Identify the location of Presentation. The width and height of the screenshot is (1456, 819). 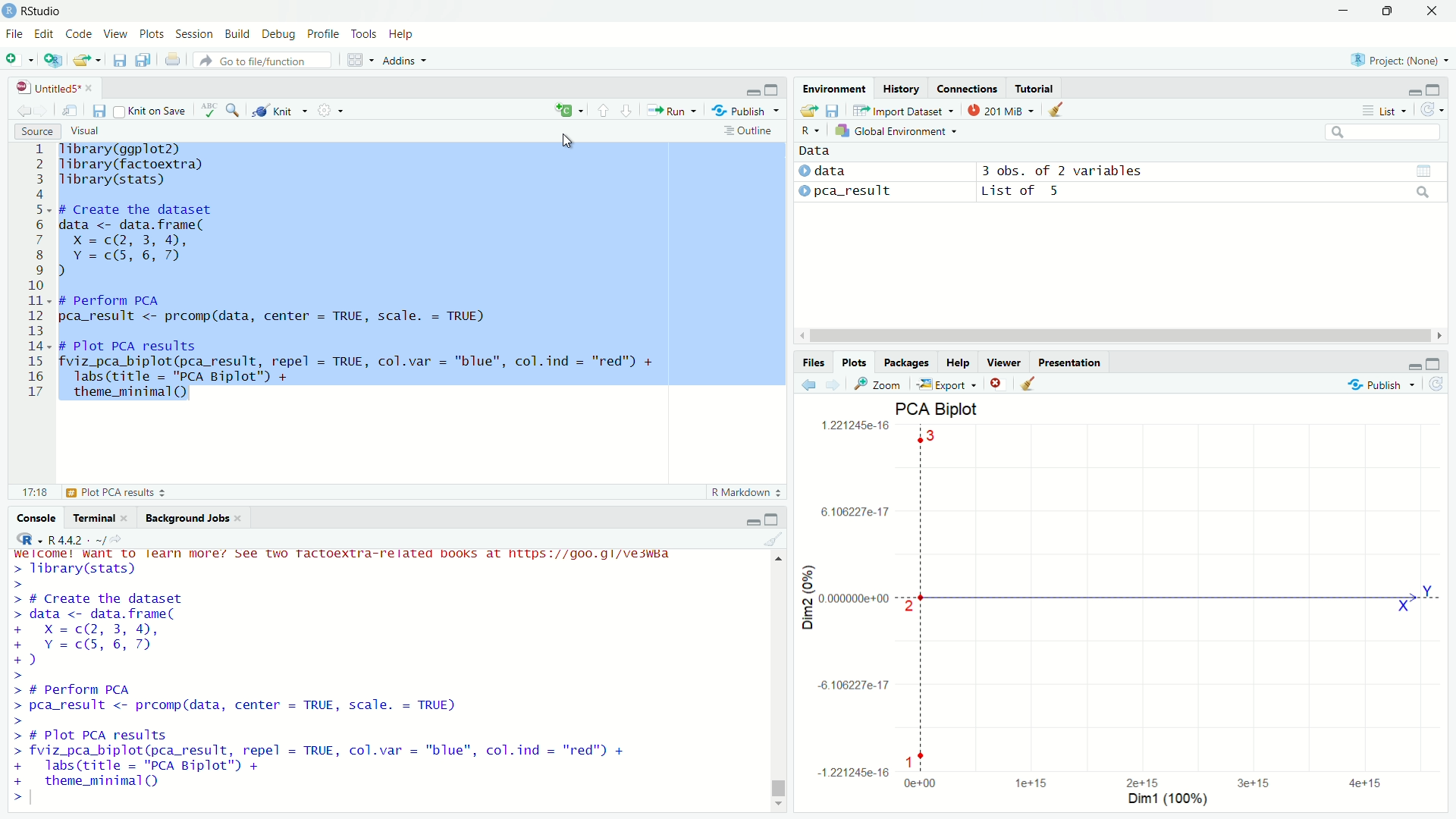
(1070, 362).